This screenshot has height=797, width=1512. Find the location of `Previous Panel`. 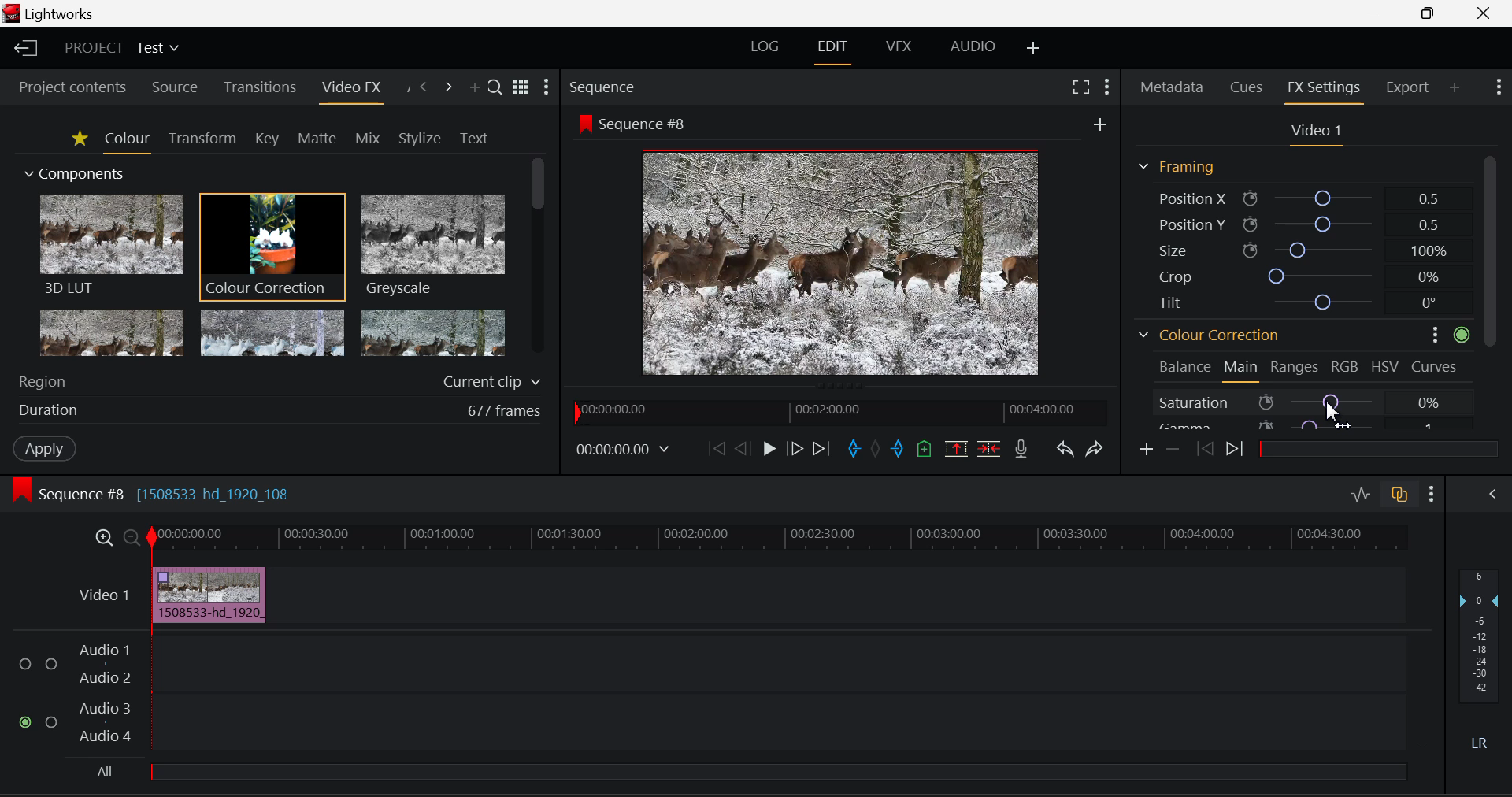

Previous Panel is located at coordinates (424, 86).